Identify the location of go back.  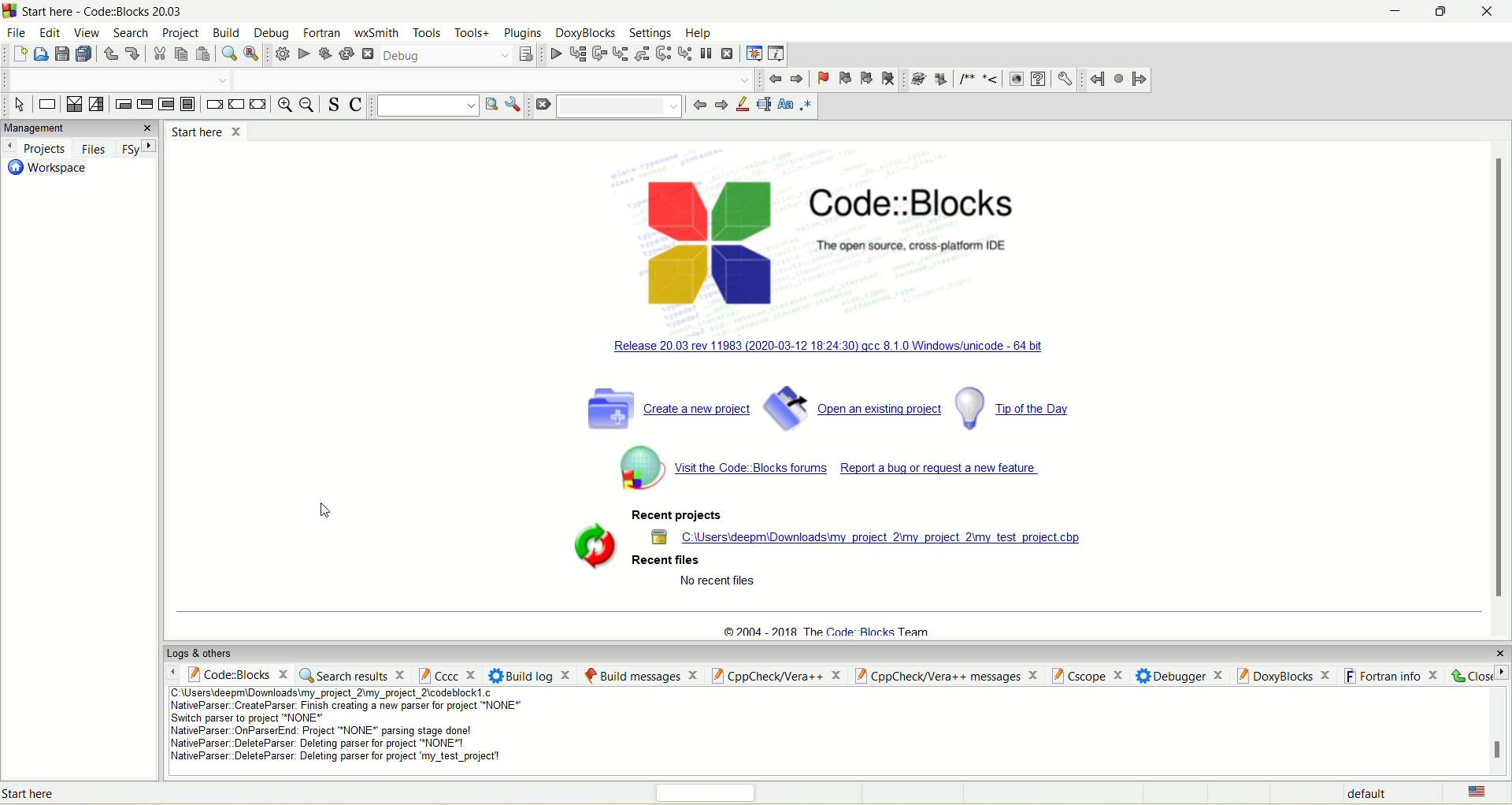
(698, 106).